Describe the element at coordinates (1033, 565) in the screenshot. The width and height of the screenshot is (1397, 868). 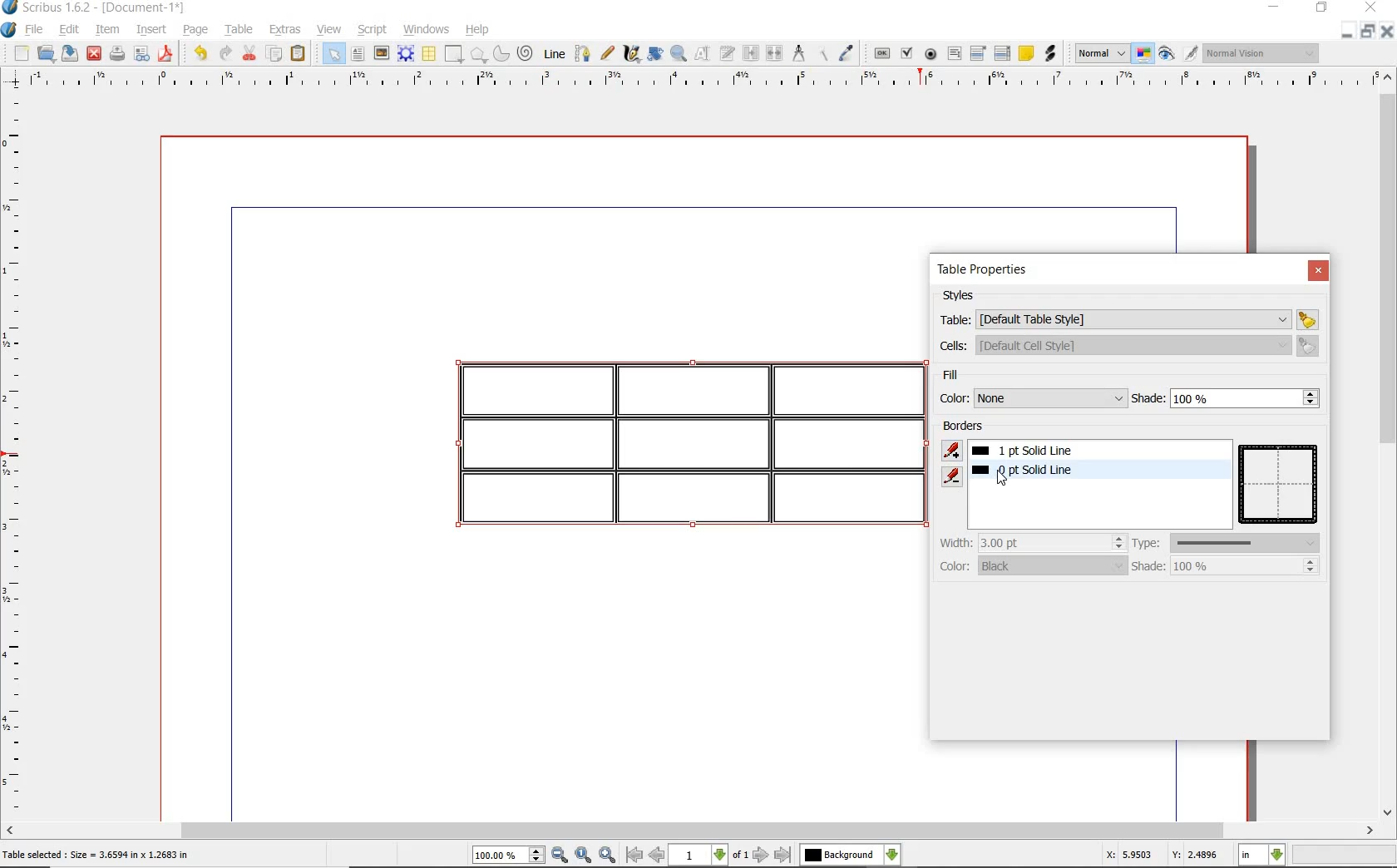
I see `color` at that location.